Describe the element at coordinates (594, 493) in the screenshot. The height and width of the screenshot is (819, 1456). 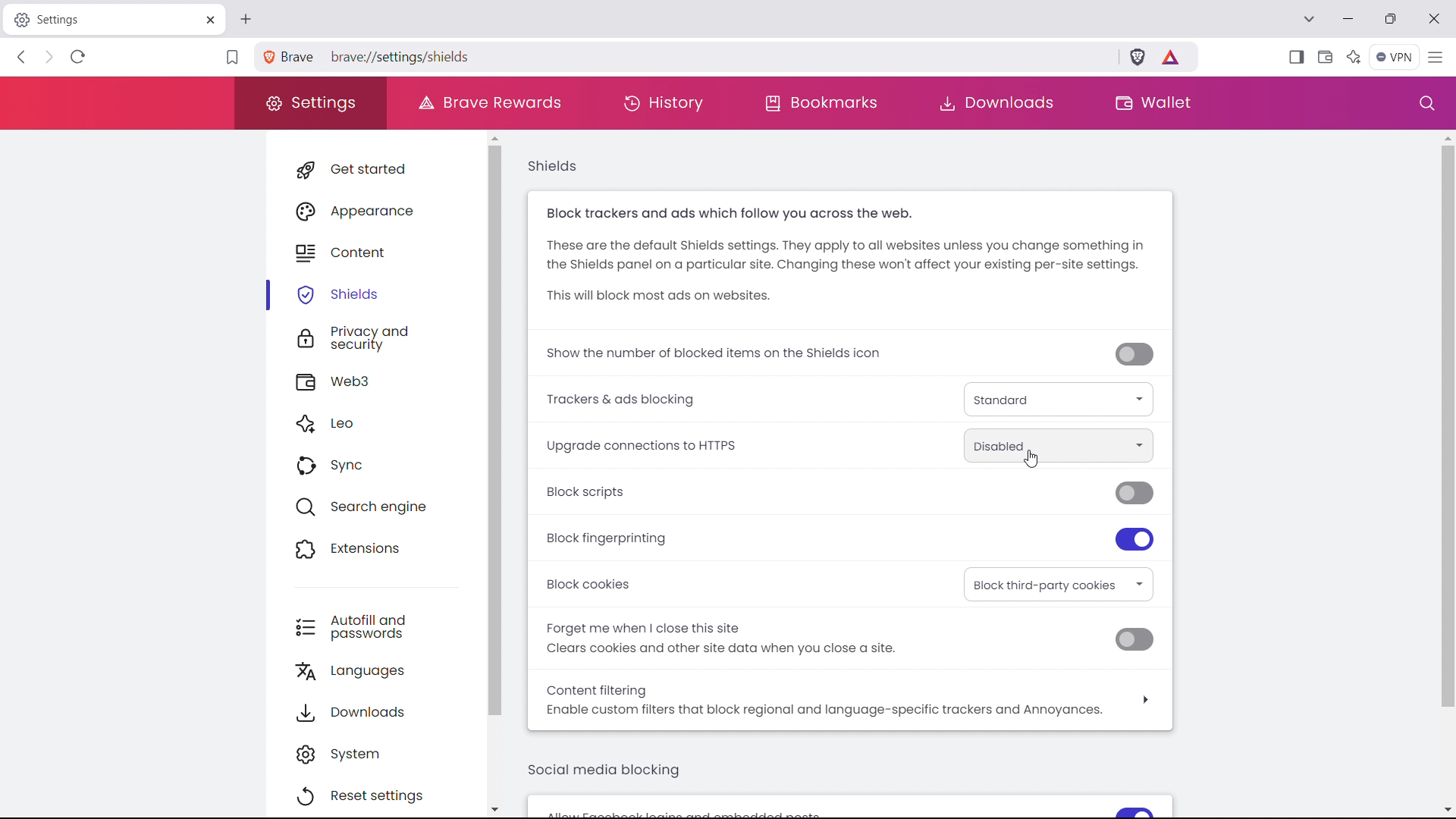
I see `block scripts` at that location.